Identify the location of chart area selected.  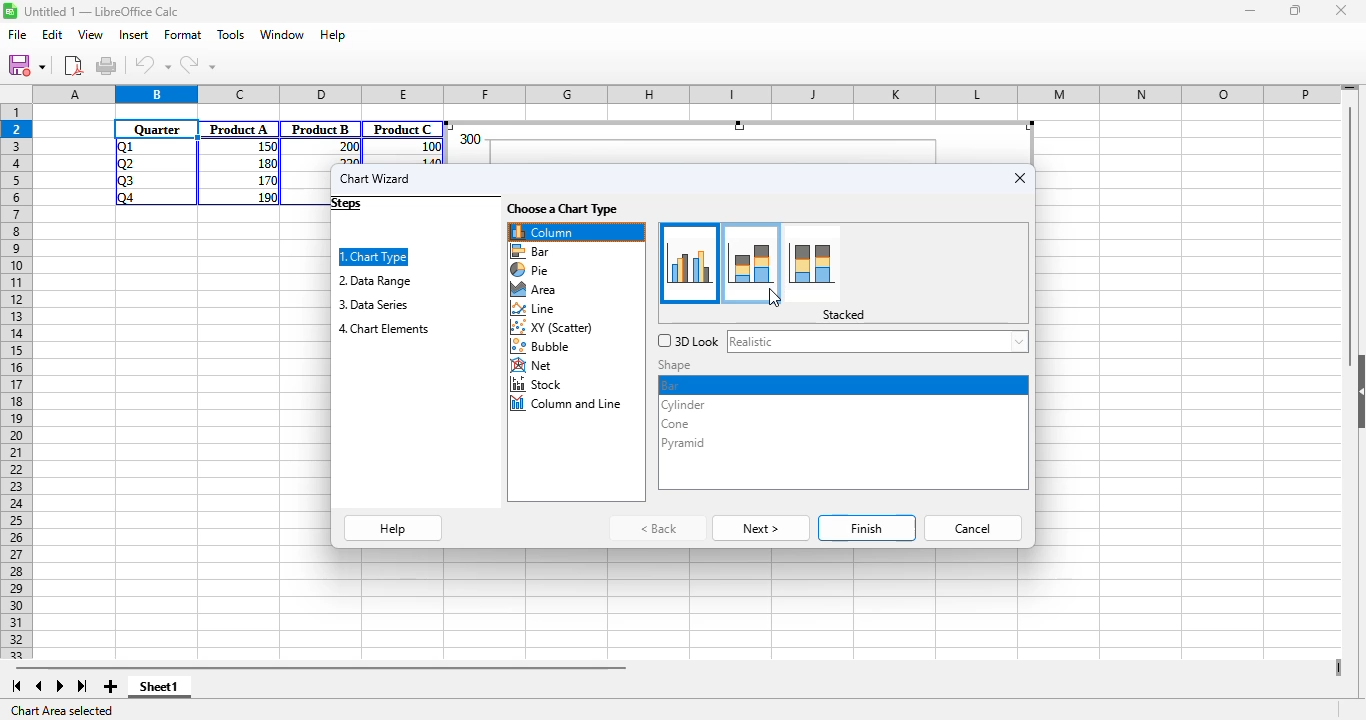
(64, 711).